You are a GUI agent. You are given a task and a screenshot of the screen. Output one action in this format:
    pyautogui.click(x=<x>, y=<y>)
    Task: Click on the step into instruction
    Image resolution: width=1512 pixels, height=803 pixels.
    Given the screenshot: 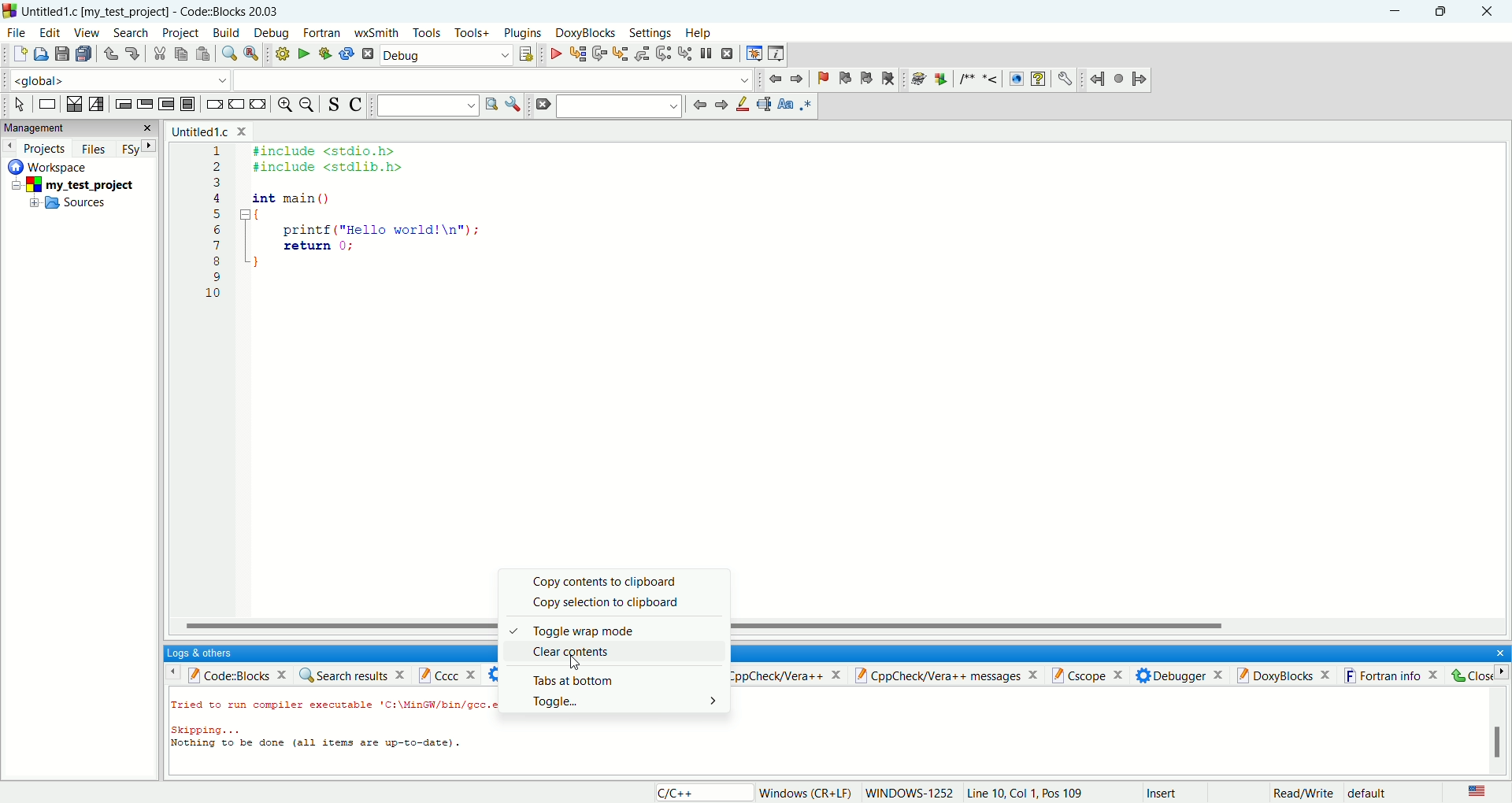 What is the action you would take?
    pyautogui.click(x=685, y=54)
    